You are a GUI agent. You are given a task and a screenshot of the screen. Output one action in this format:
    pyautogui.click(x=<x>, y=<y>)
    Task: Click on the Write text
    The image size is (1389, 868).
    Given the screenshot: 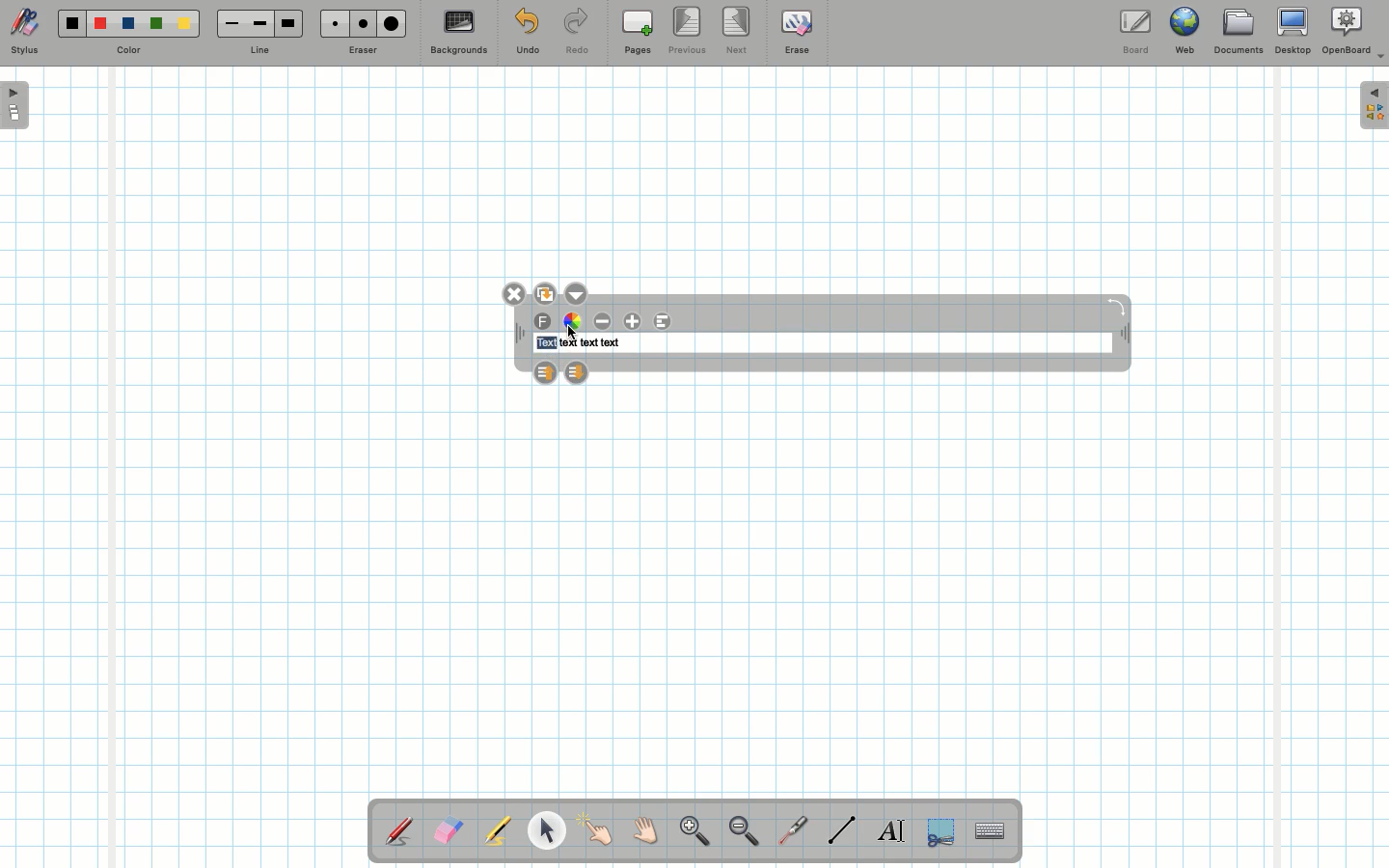 What is the action you would take?
    pyautogui.click(x=893, y=827)
    